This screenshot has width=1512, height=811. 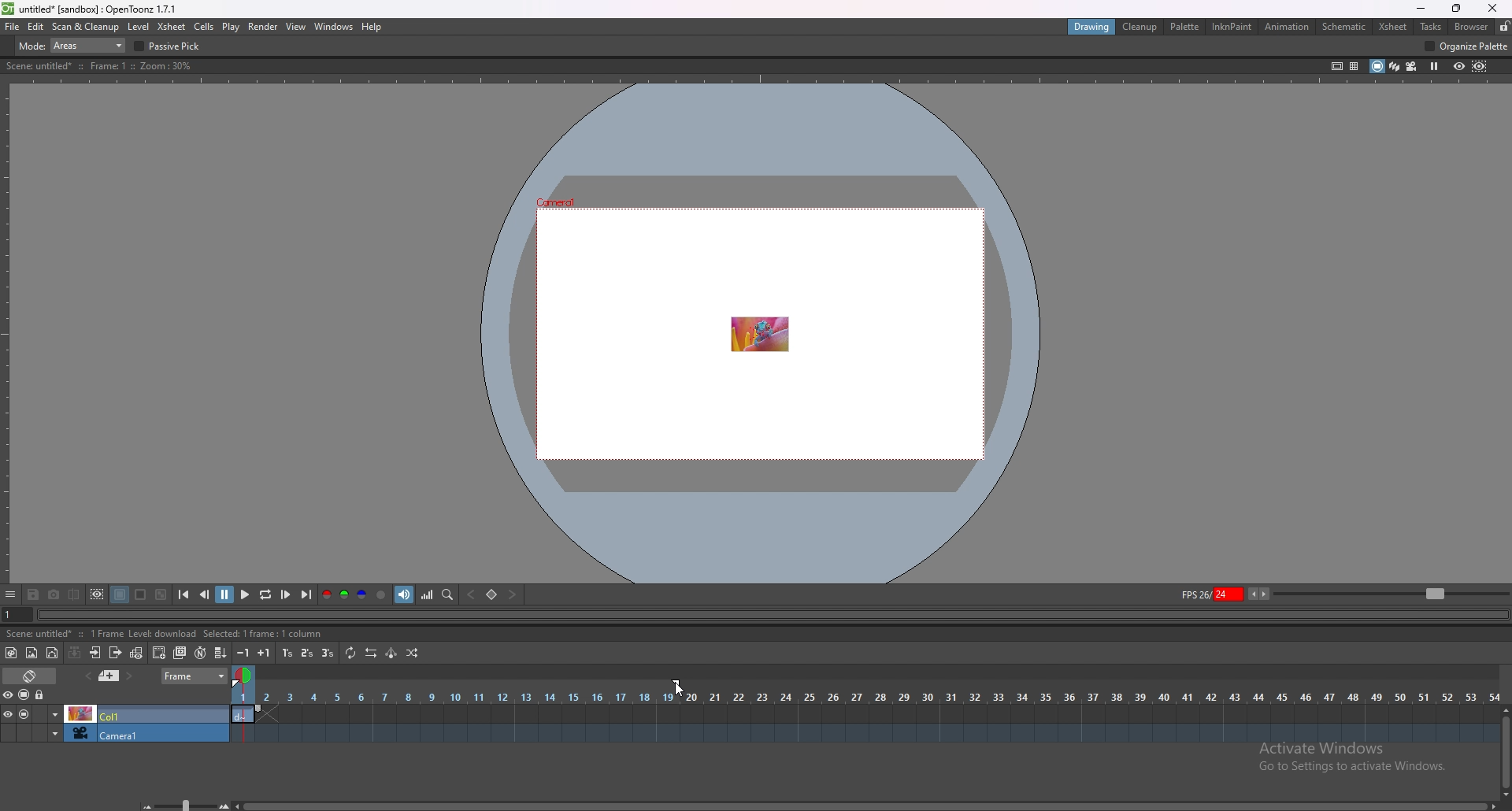 What do you see at coordinates (287, 594) in the screenshot?
I see `next frame` at bounding box center [287, 594].